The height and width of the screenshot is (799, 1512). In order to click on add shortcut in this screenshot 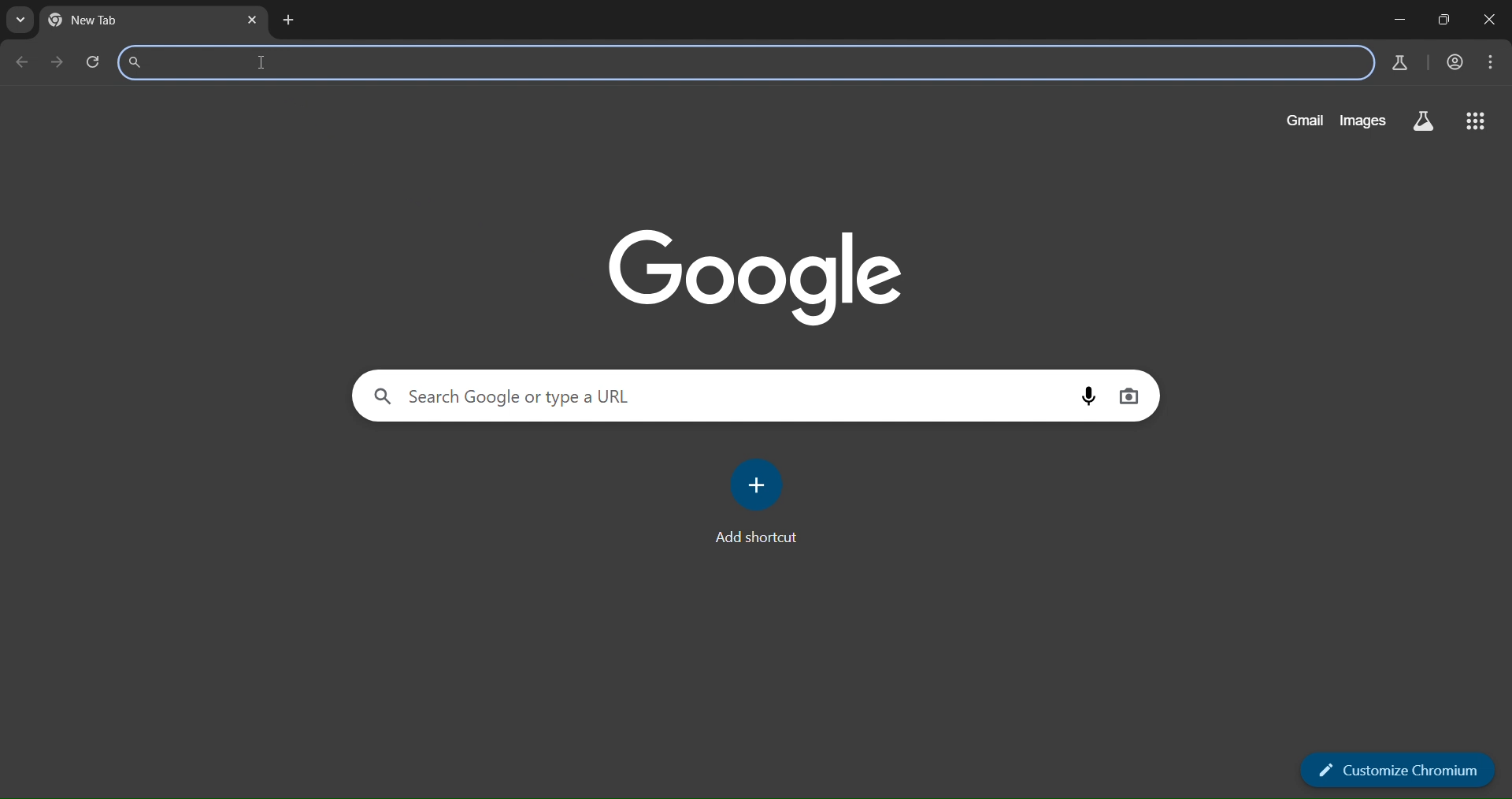, I will do `click(762, 500)`.